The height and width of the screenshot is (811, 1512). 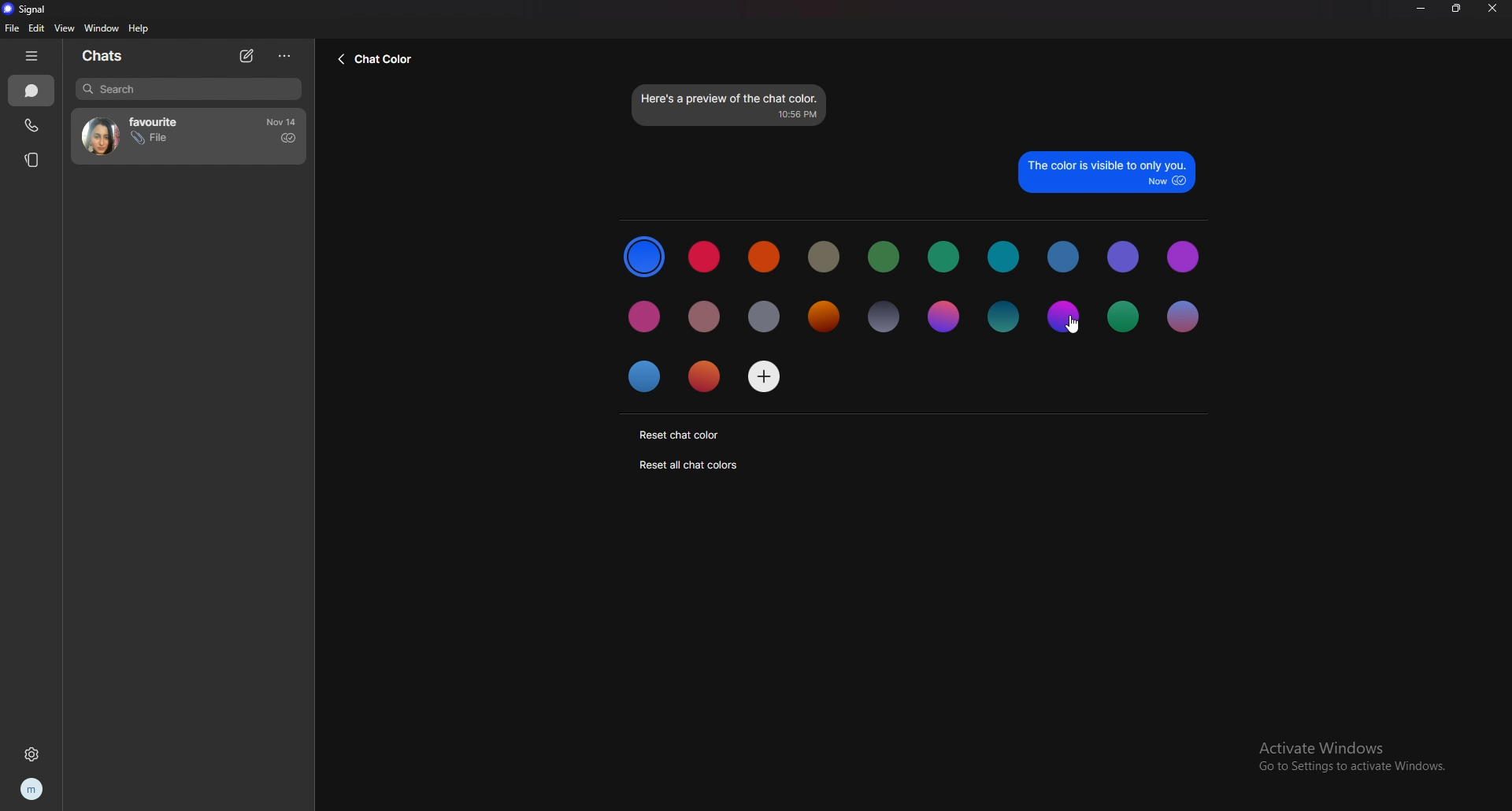 What do you see at coordinates (824, 256) in the screenshot?
I see `color` at bounding box center [824, 256].